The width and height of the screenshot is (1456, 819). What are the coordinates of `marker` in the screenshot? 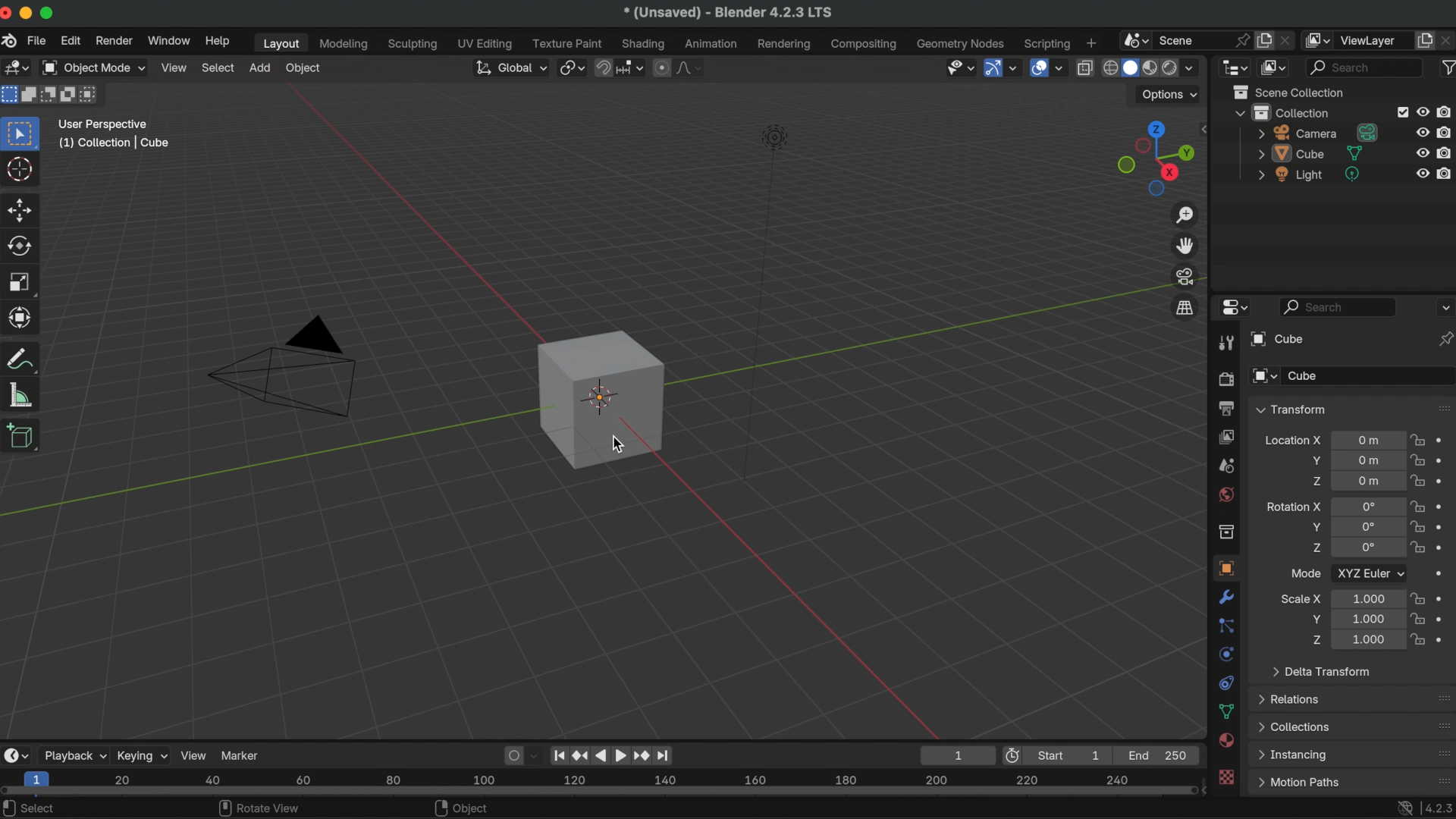 It's located at (243, 754).